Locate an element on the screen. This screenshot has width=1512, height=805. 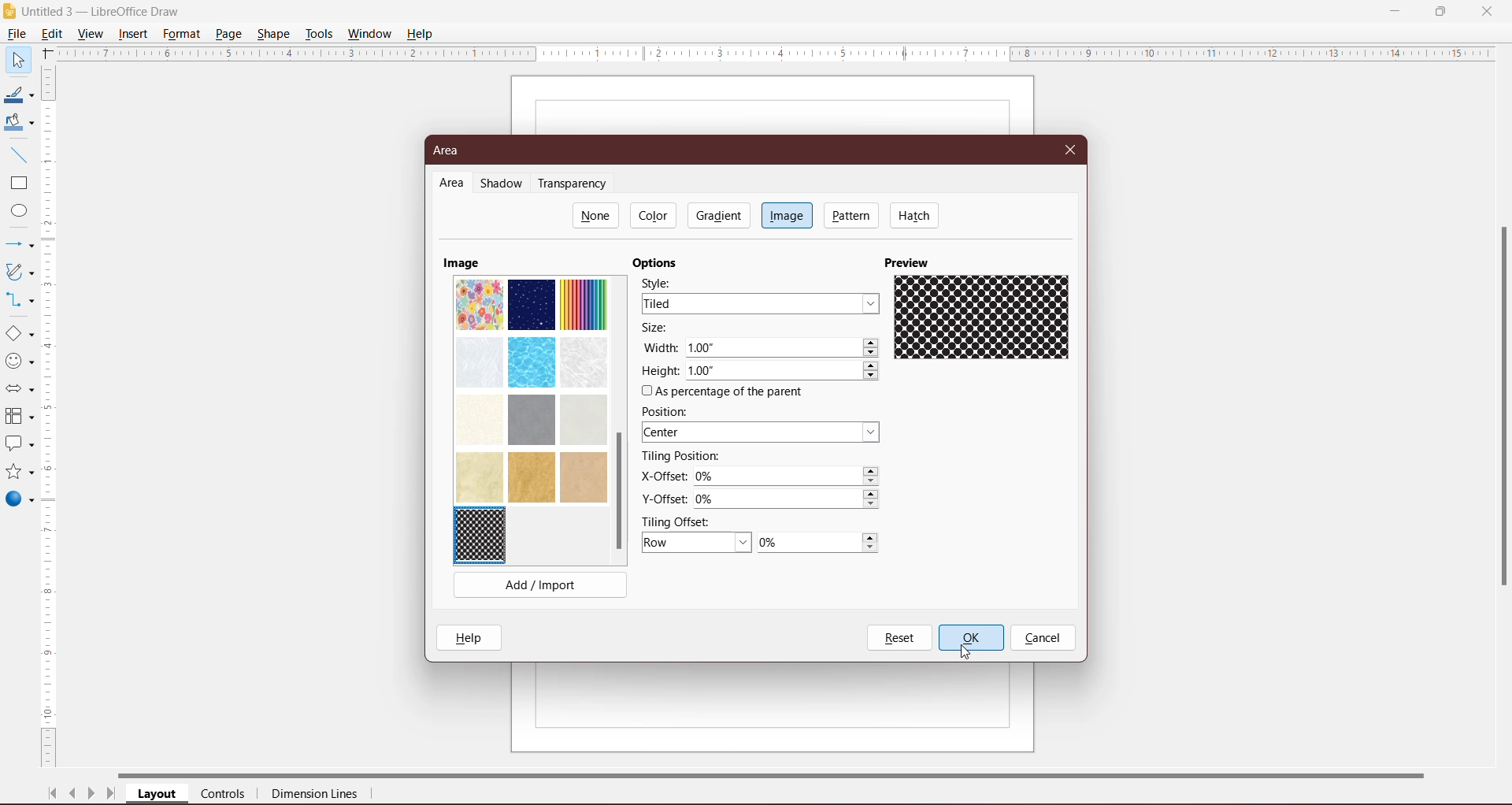
As percentage of the present is located at coordinates (725, 392).